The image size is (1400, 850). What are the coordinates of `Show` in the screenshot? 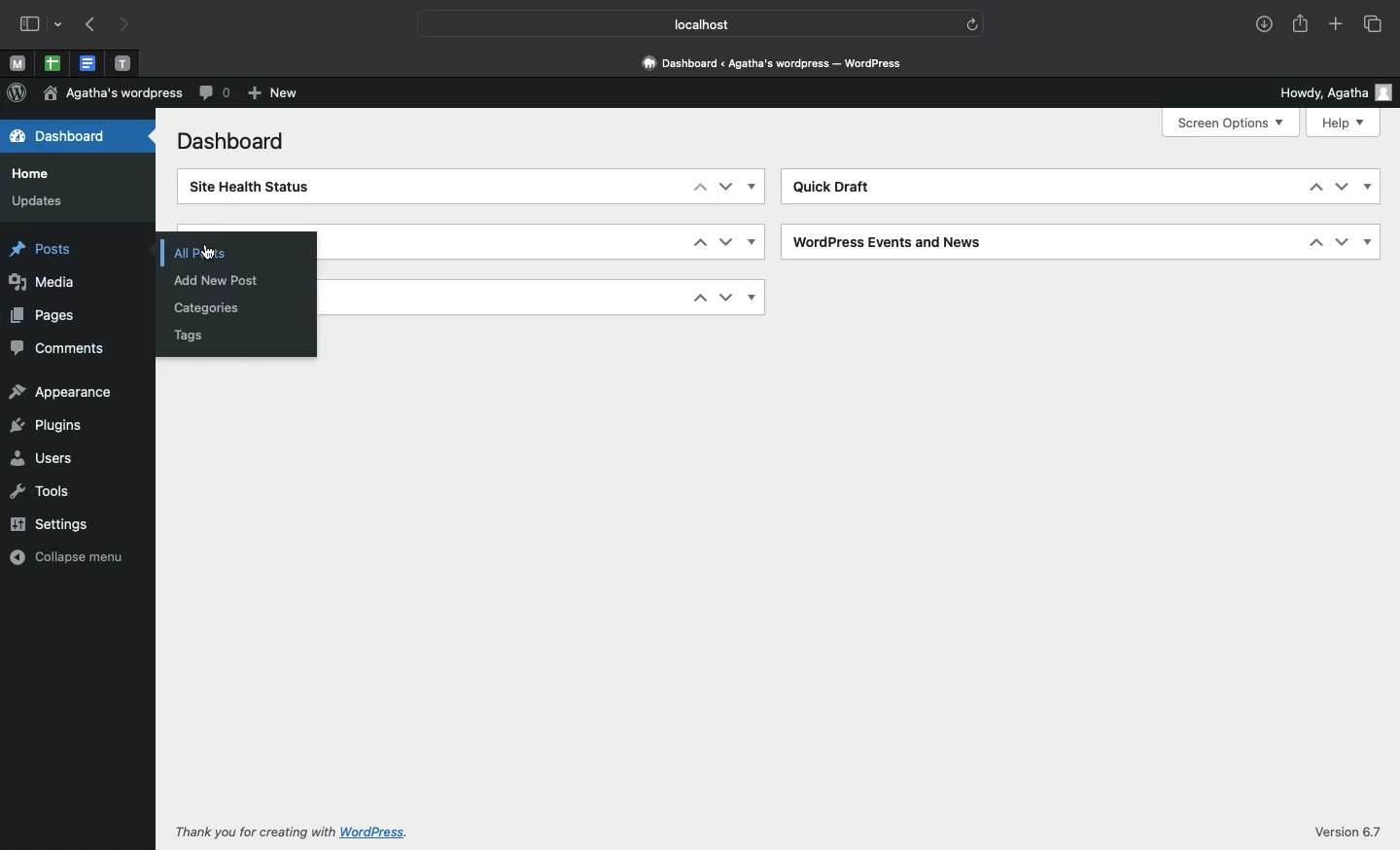 It's located at (1369, 240).